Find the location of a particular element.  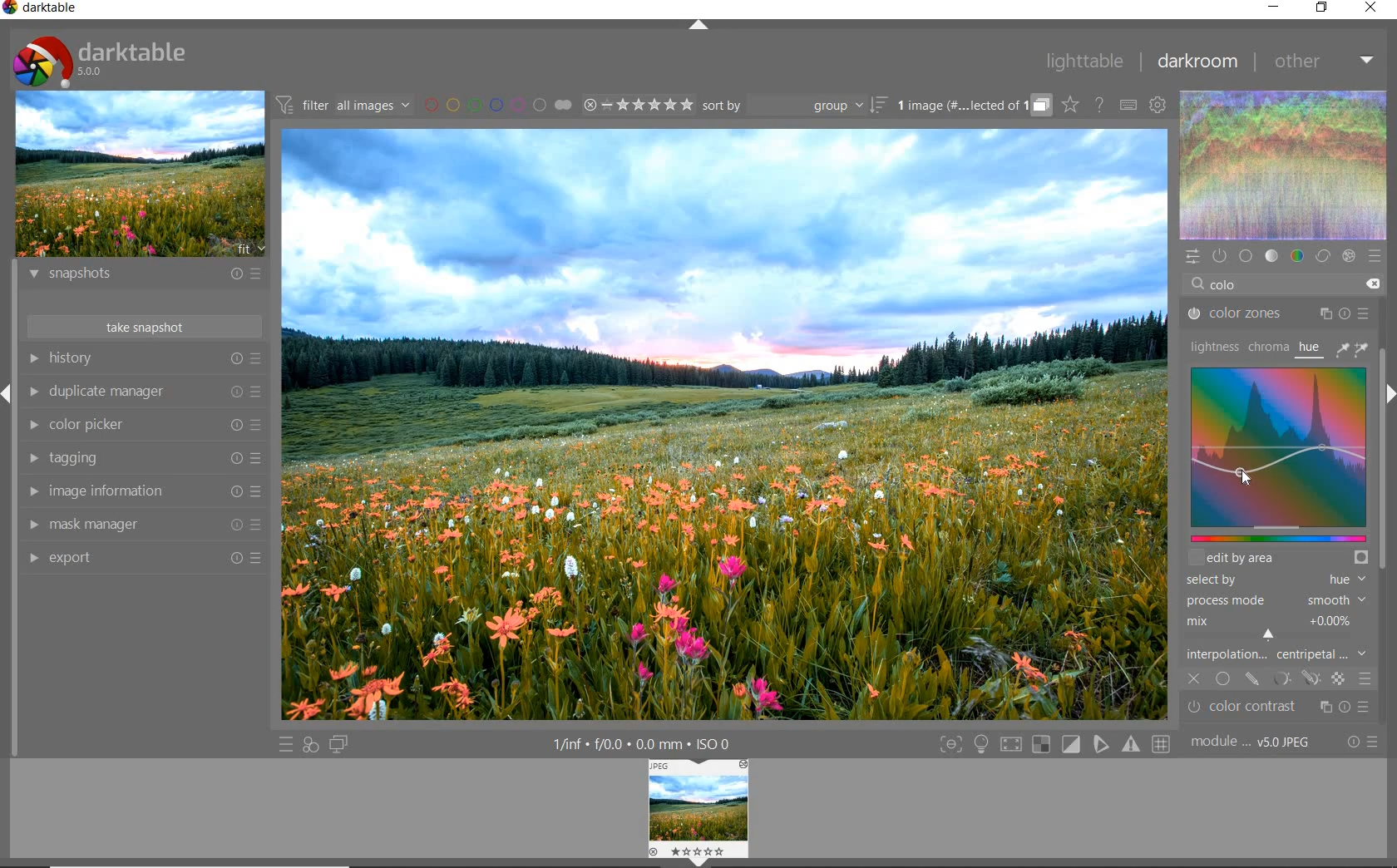

tone is located at coordinates (1272, 254).